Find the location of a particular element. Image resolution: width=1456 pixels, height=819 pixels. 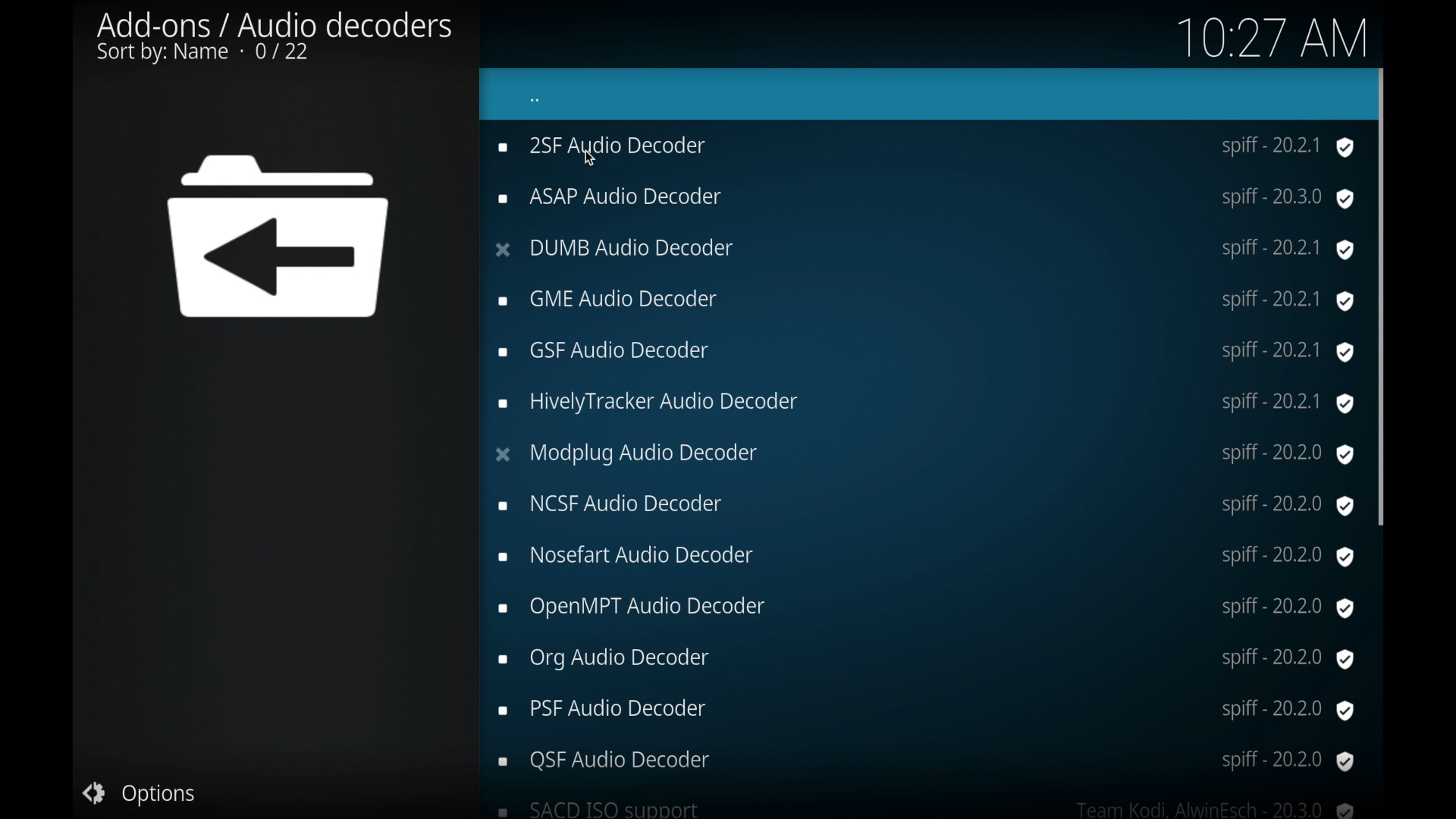

 is located at coordinates (140, 792).